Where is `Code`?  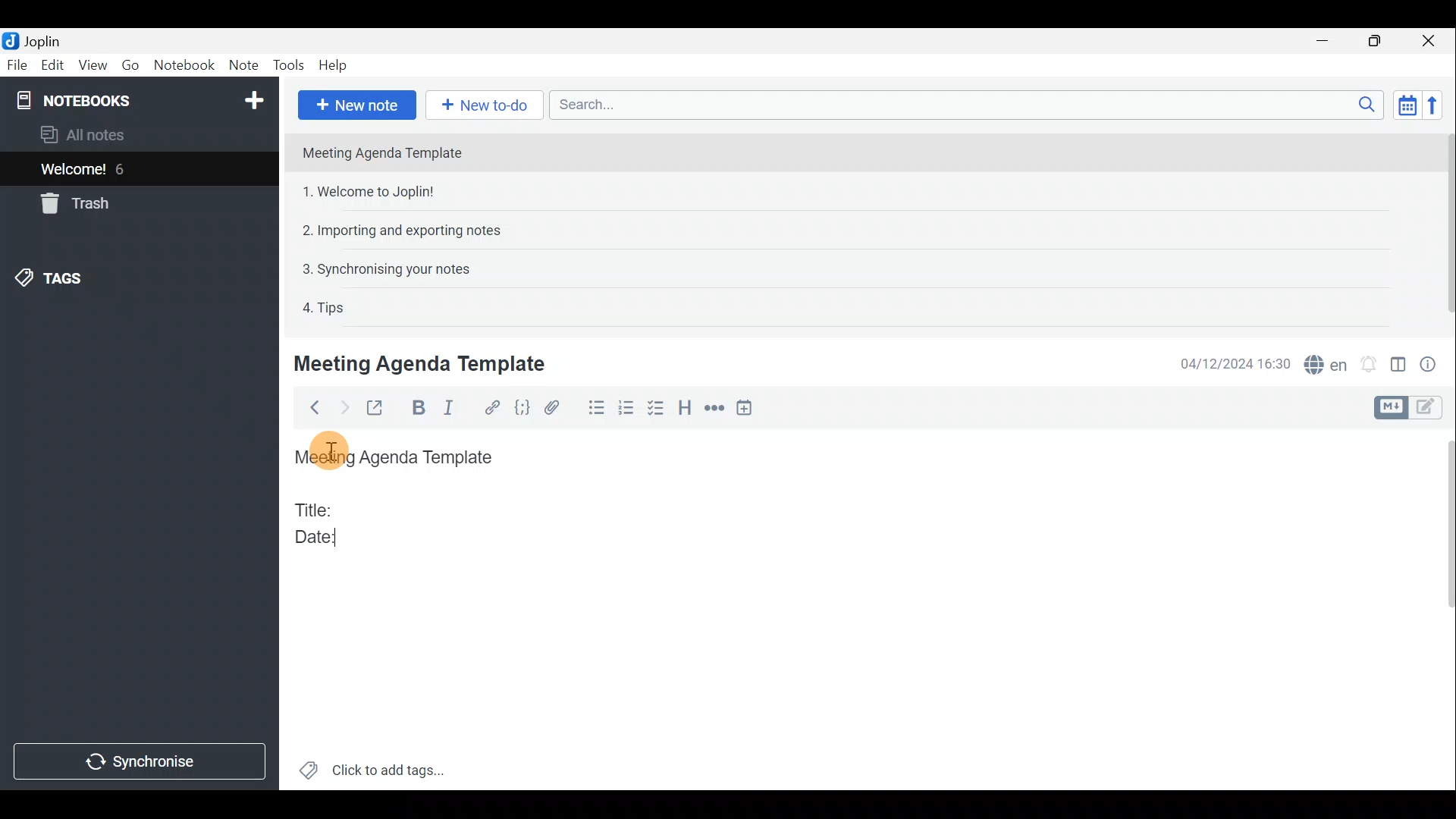 Code is located at coordinates (522, 409).